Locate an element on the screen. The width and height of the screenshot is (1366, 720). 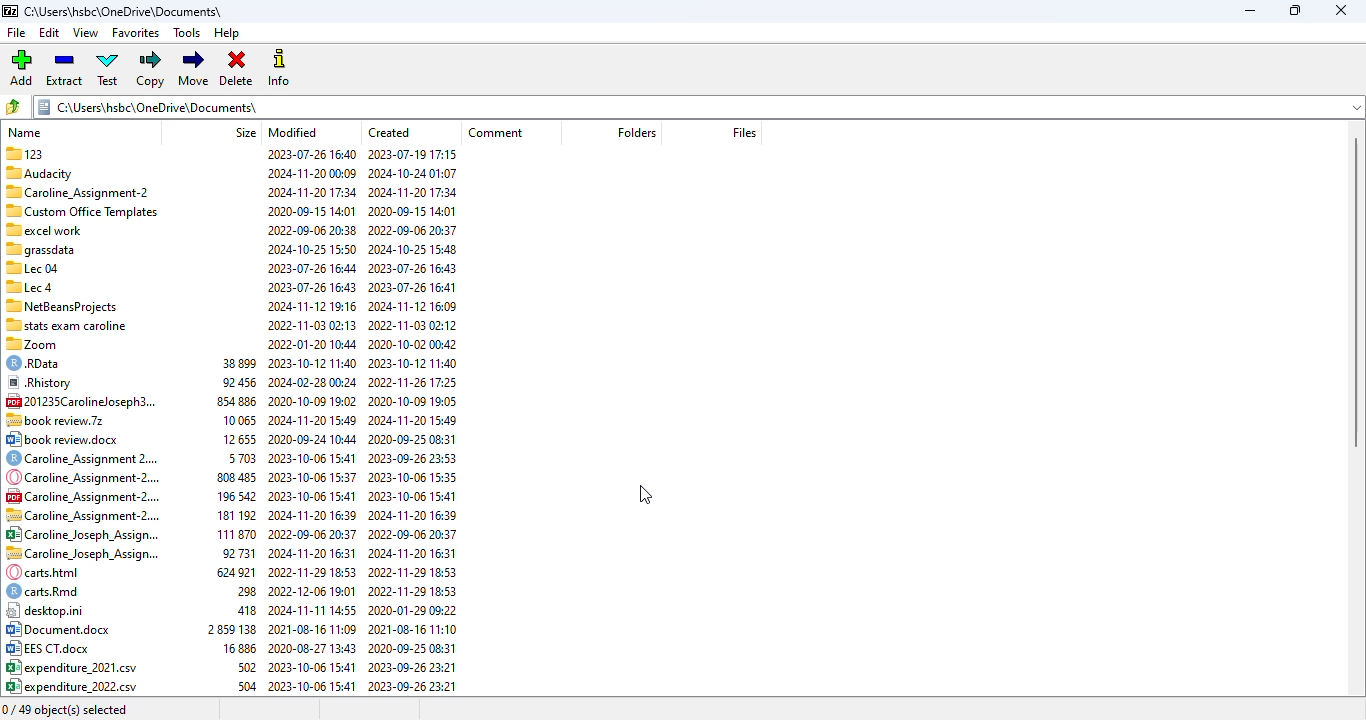
zoom is located at coordinates (36, 343).